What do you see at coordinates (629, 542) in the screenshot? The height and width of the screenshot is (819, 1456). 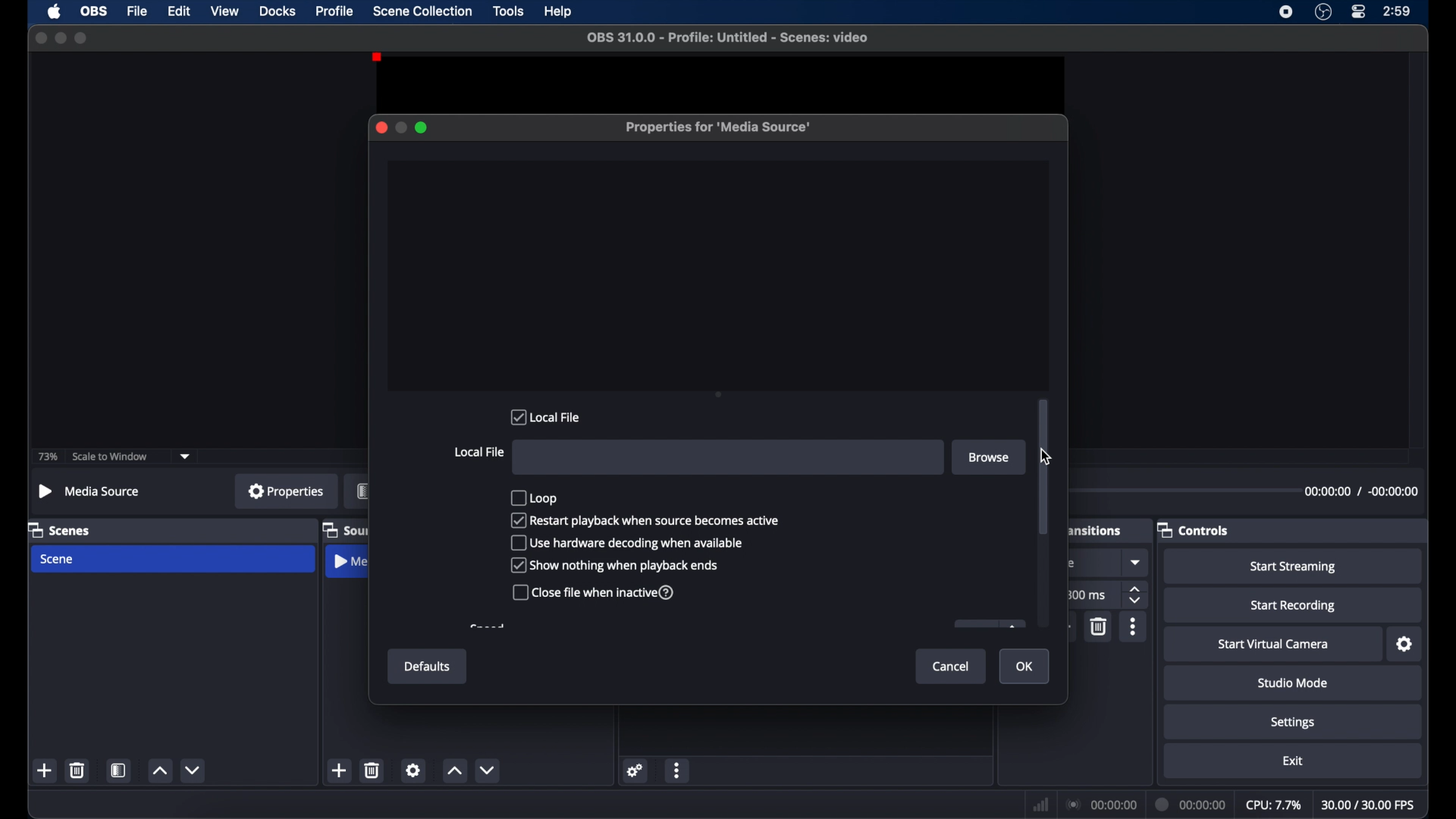 I see `use hardware decoding when available` at bounding box center [629, 542].